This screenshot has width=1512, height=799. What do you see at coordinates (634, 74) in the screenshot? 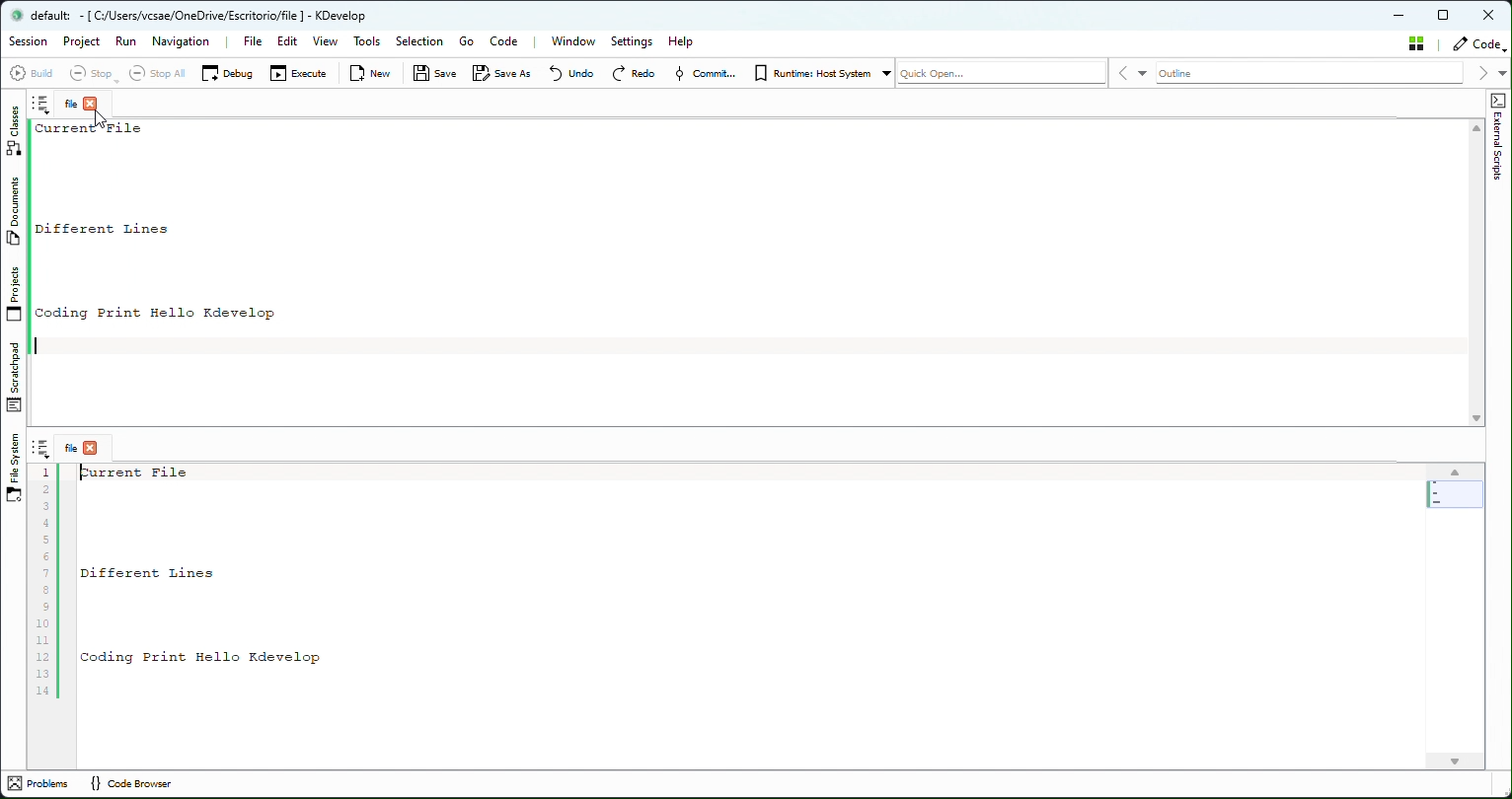
I see `Redo` at bounding box center [634, 74].